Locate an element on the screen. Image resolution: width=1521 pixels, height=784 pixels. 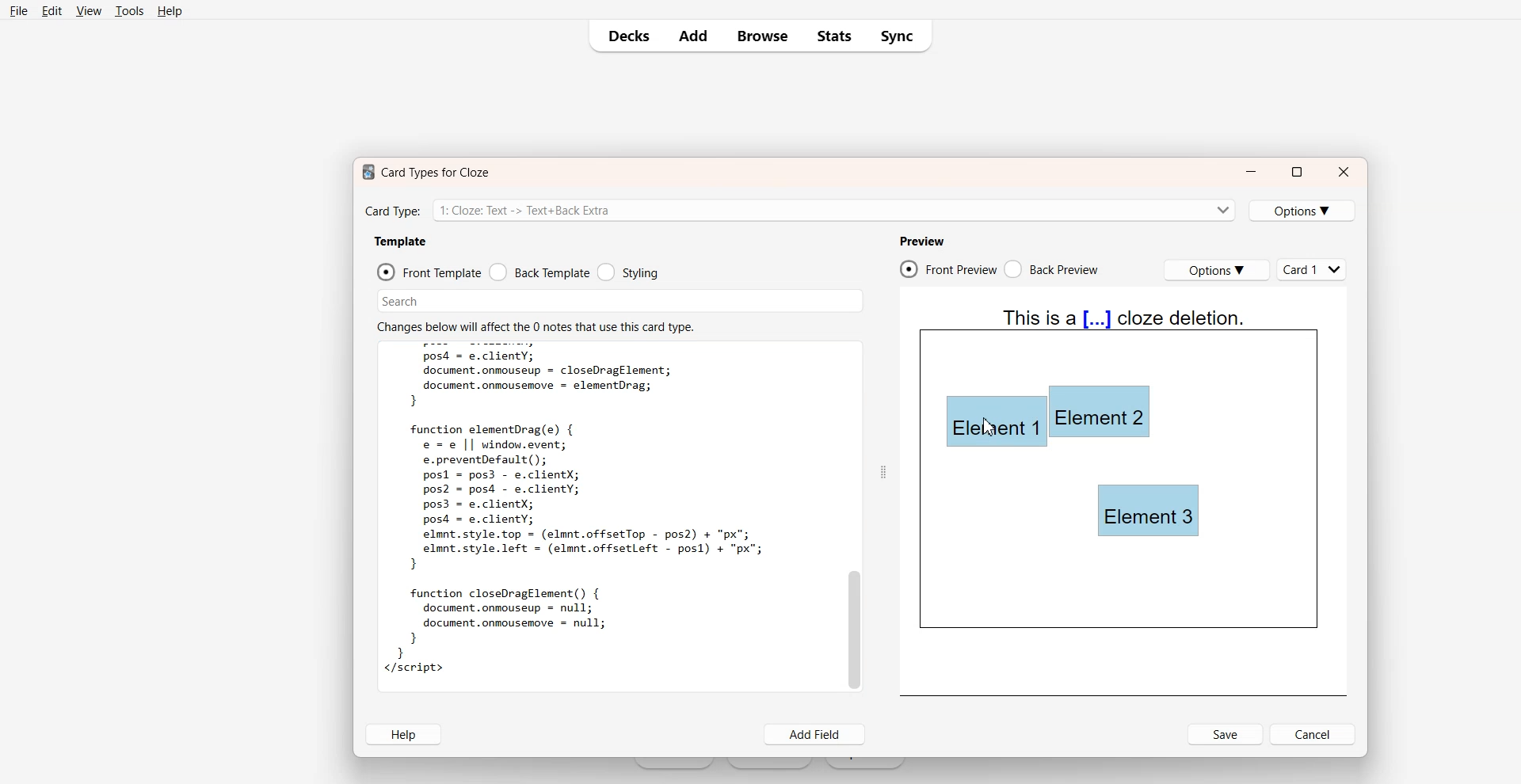
Cancel is located at coordinates (1314, 734).